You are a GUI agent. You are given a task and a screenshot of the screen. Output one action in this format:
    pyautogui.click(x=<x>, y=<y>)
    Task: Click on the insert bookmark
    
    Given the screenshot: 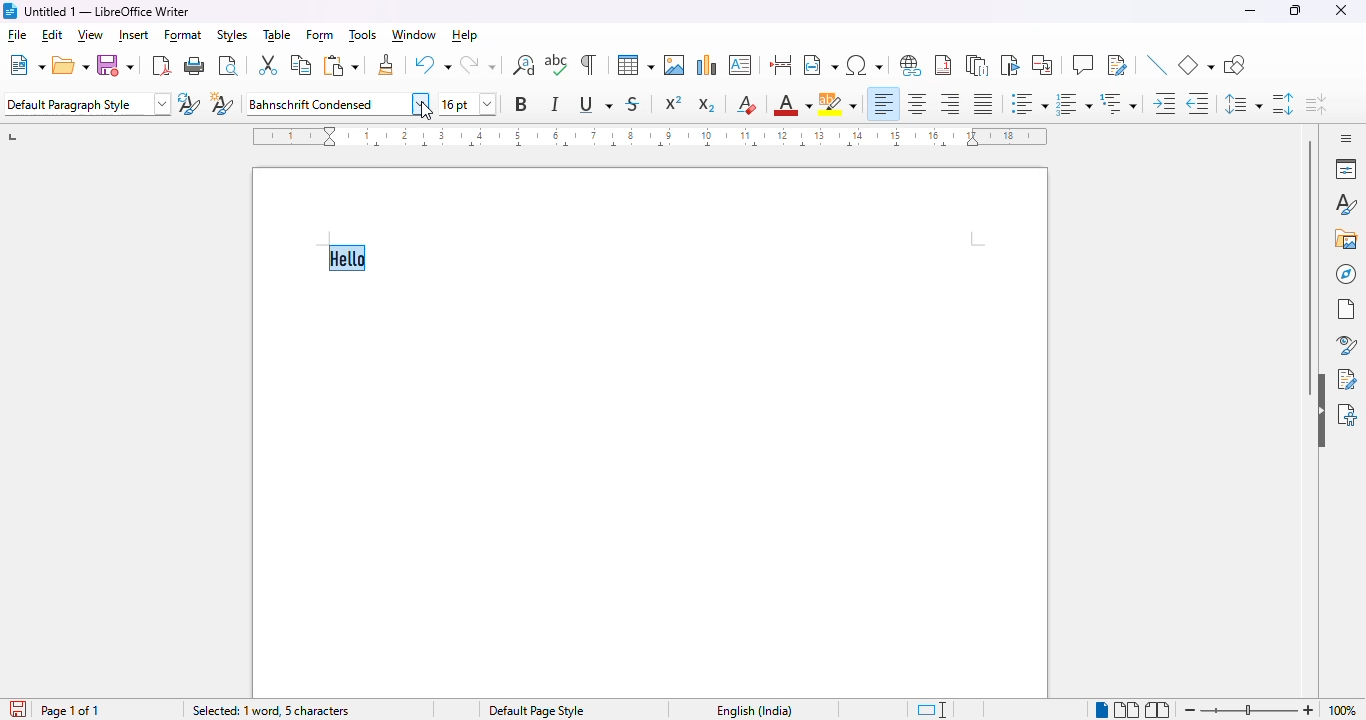 What is the action you would take?
    pyautogui.click(x=1009, y=65)
    